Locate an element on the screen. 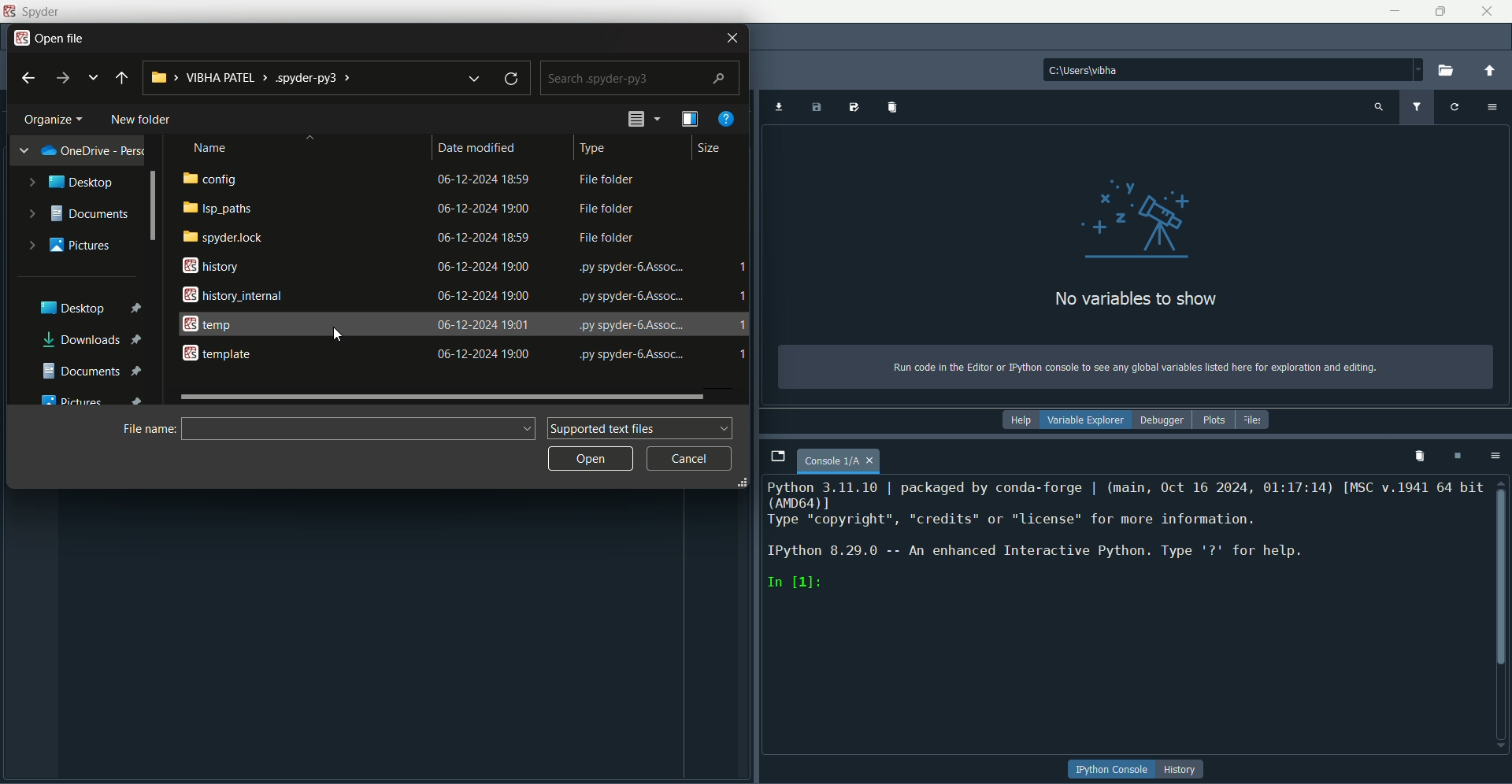  temp is located at coordinates (209, 324).